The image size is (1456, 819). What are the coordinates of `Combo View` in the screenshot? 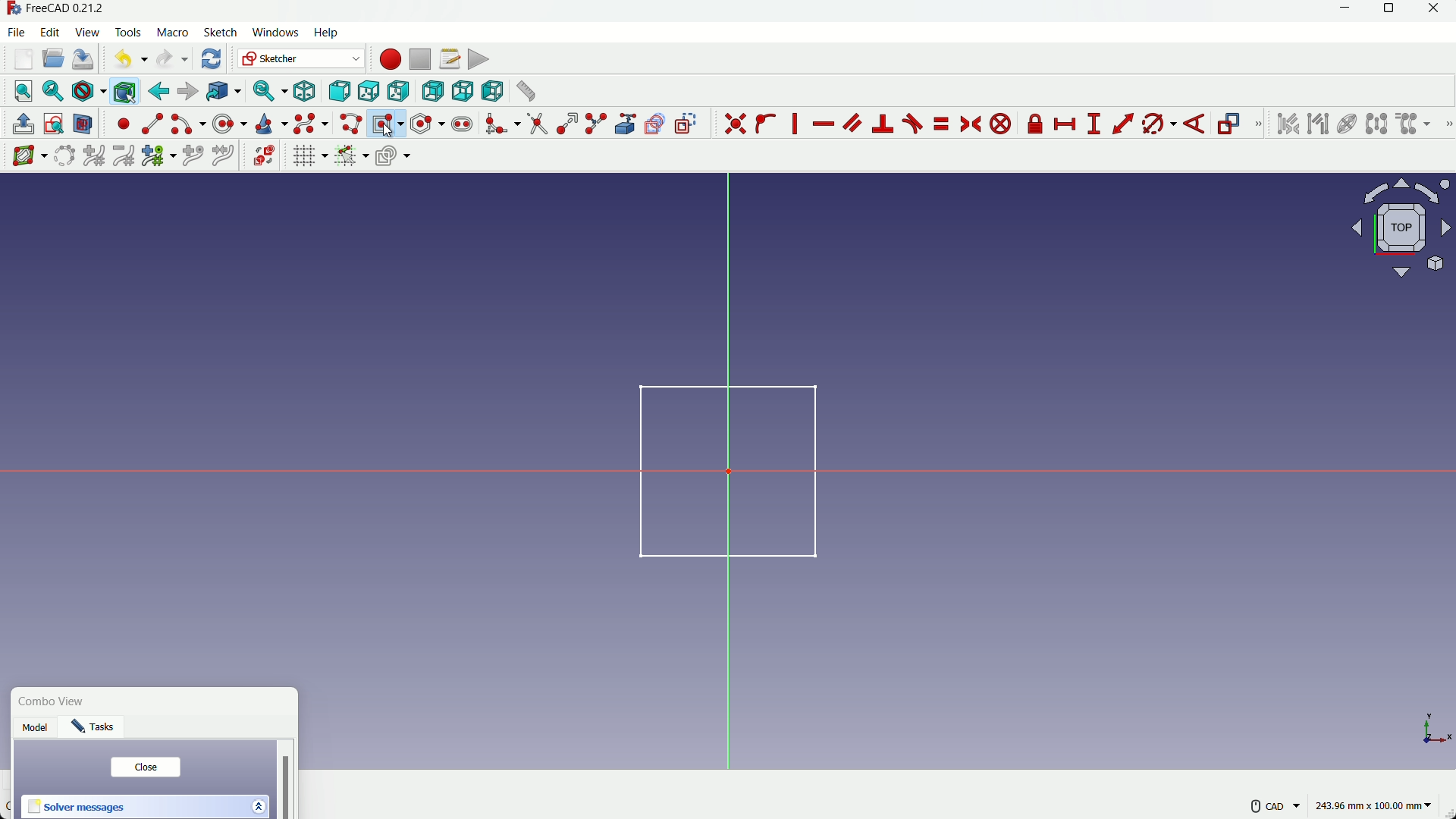 It's located at (55, 702).